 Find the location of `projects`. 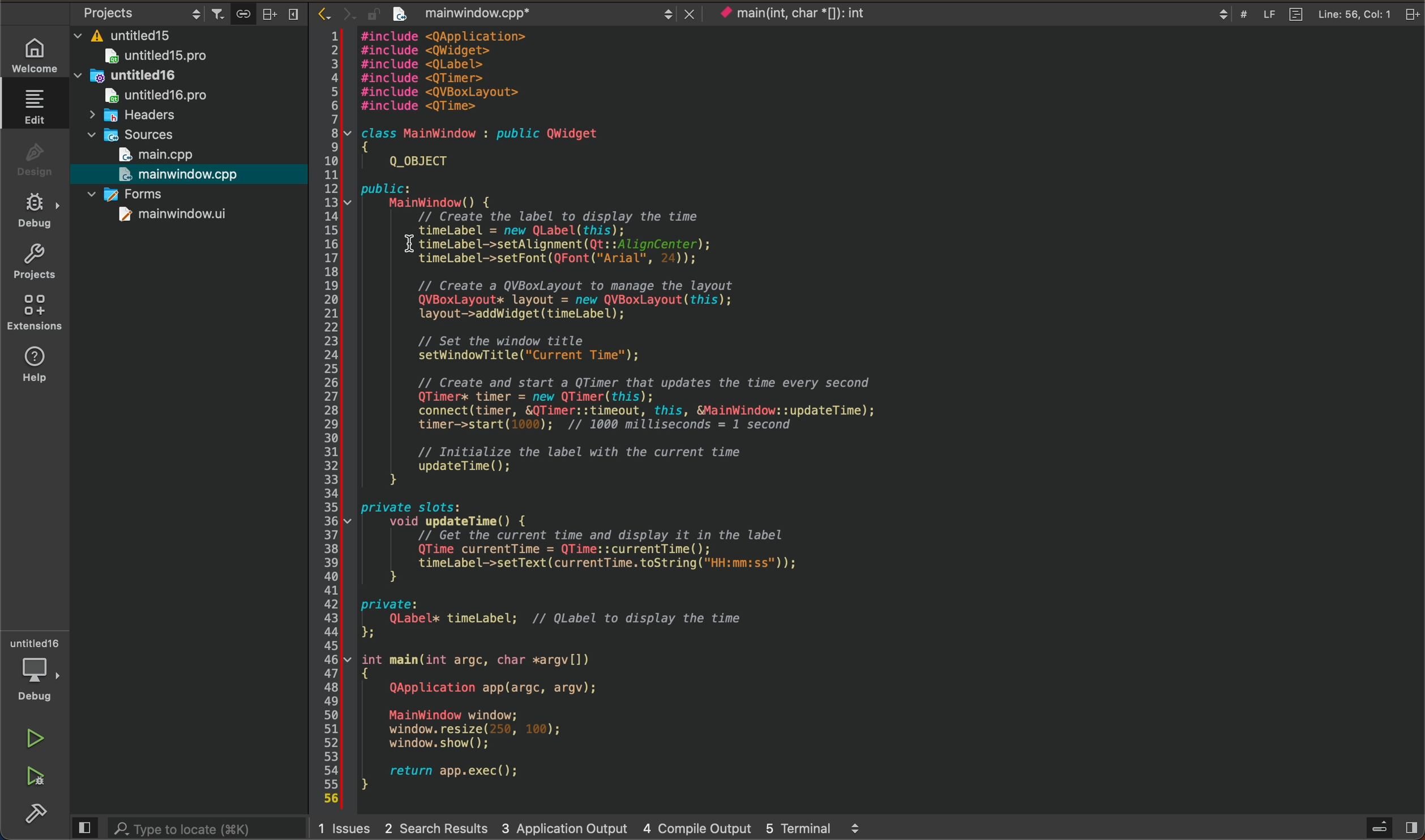

projects is located at coordinates (34, 263).